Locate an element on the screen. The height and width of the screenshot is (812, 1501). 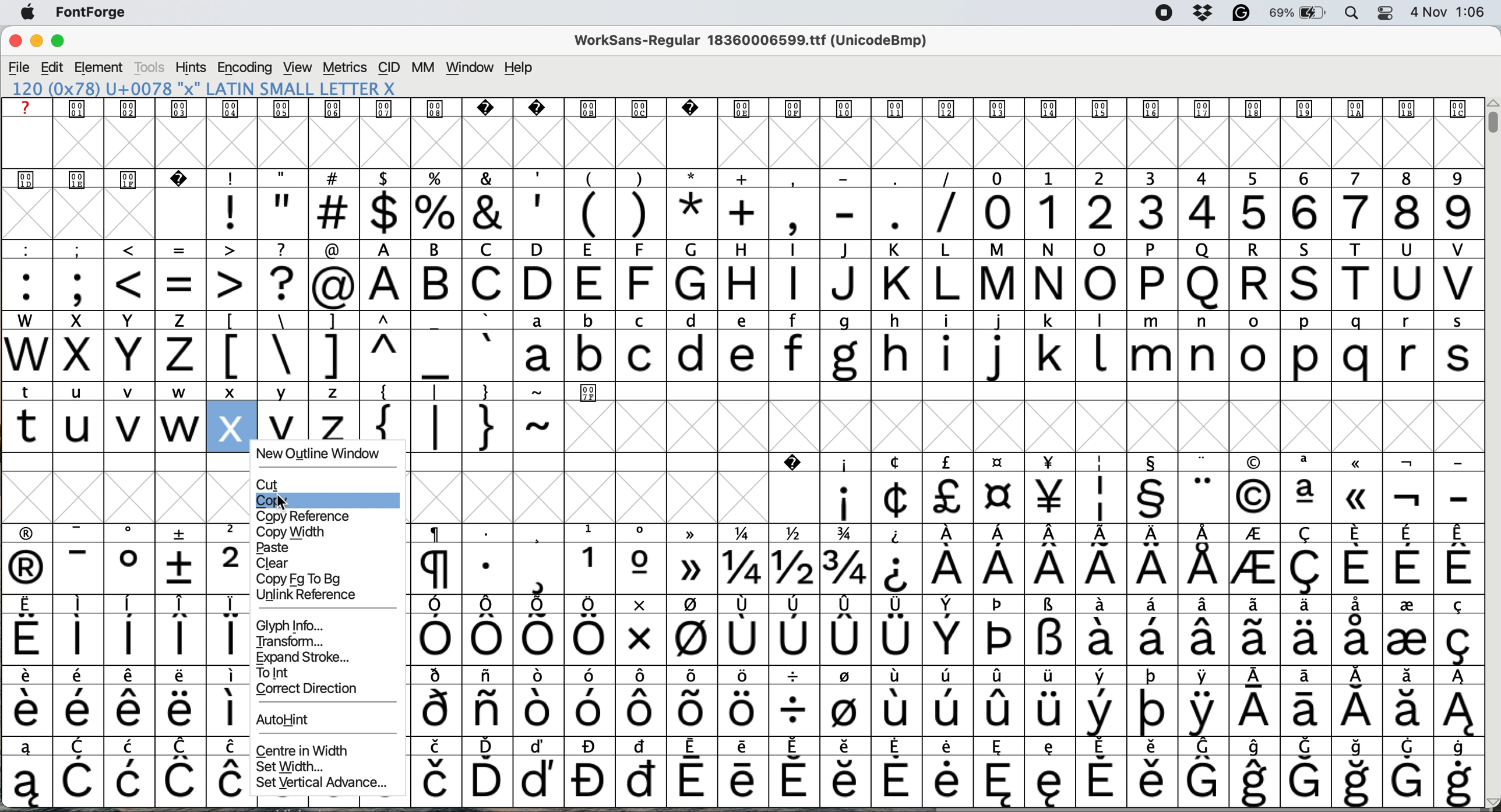
data cells is located at coordinates (1045, 391).